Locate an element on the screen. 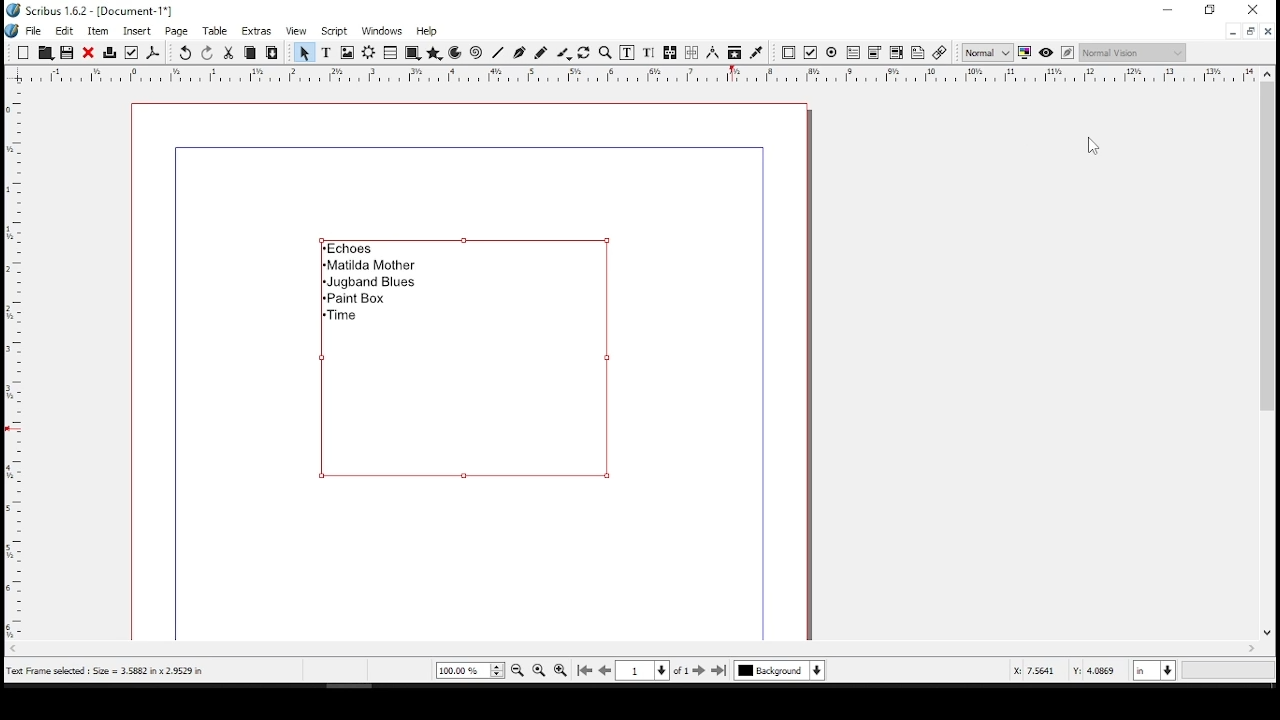 The width and height of the screenshot is (1280, 720). save as pdf is located at coordinates (154, 53).